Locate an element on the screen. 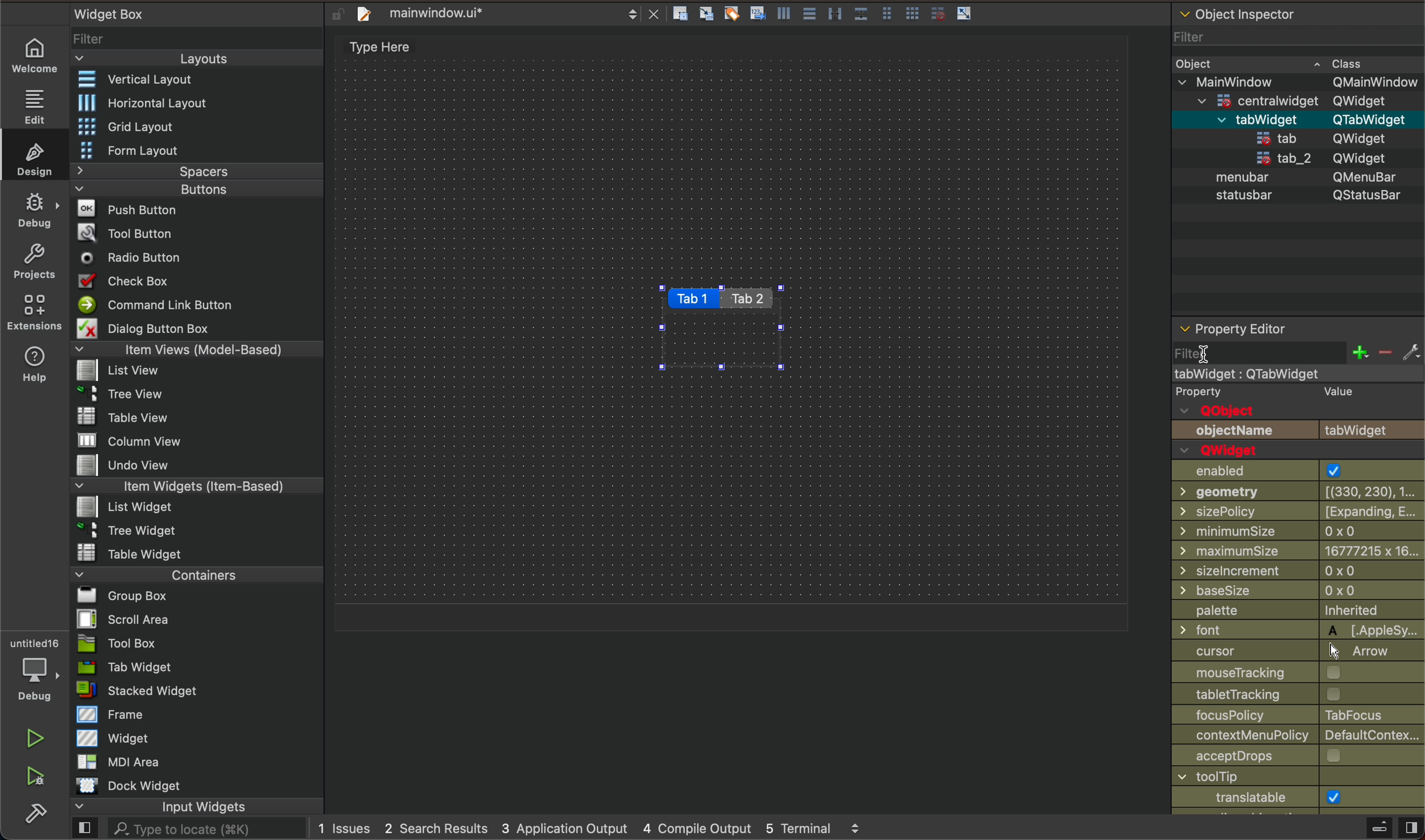 This screenshot has height=840, width=1425.  Form Layout is located at coordinates (131, 151).